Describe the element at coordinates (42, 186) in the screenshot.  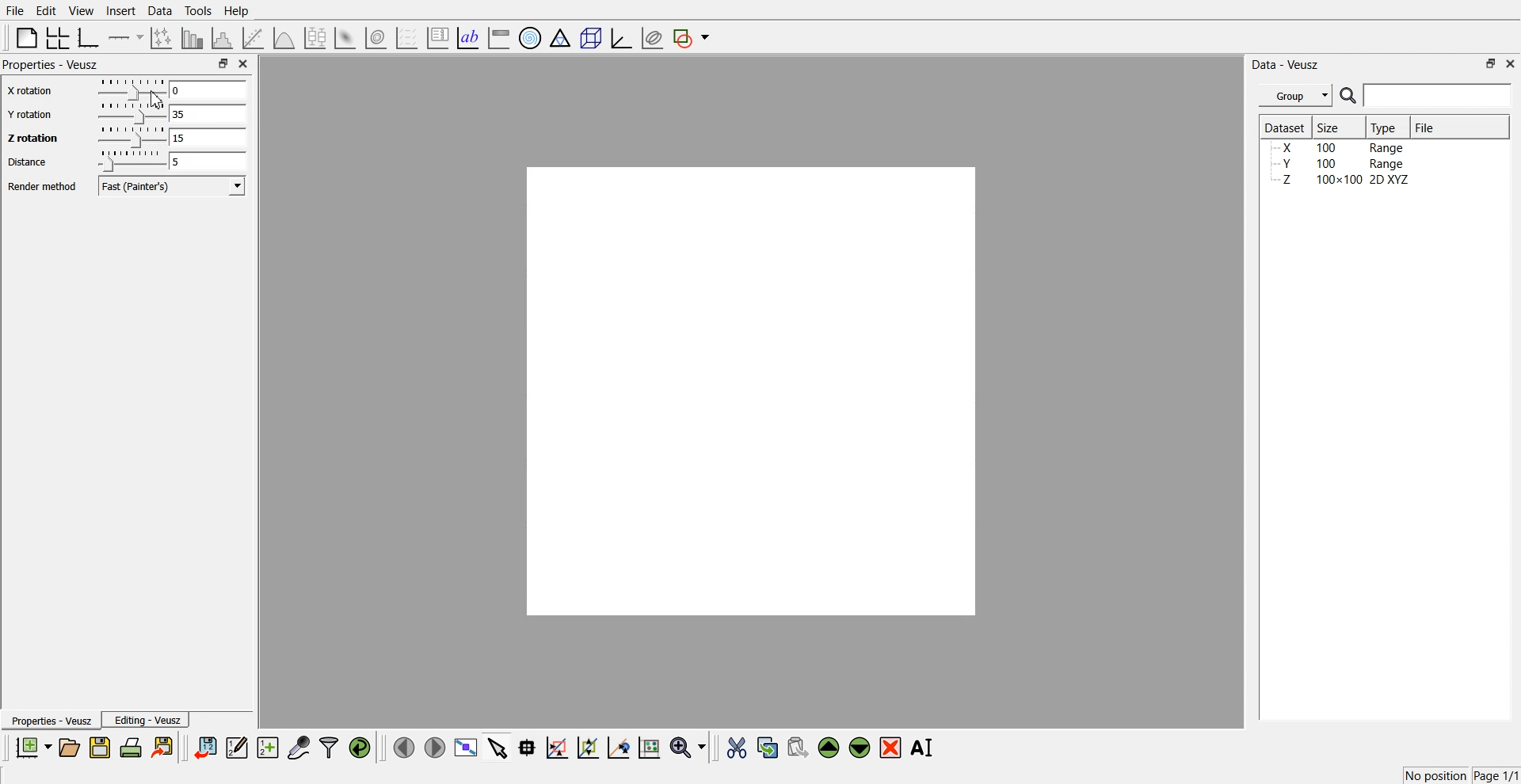
I see `Render method` at that location.